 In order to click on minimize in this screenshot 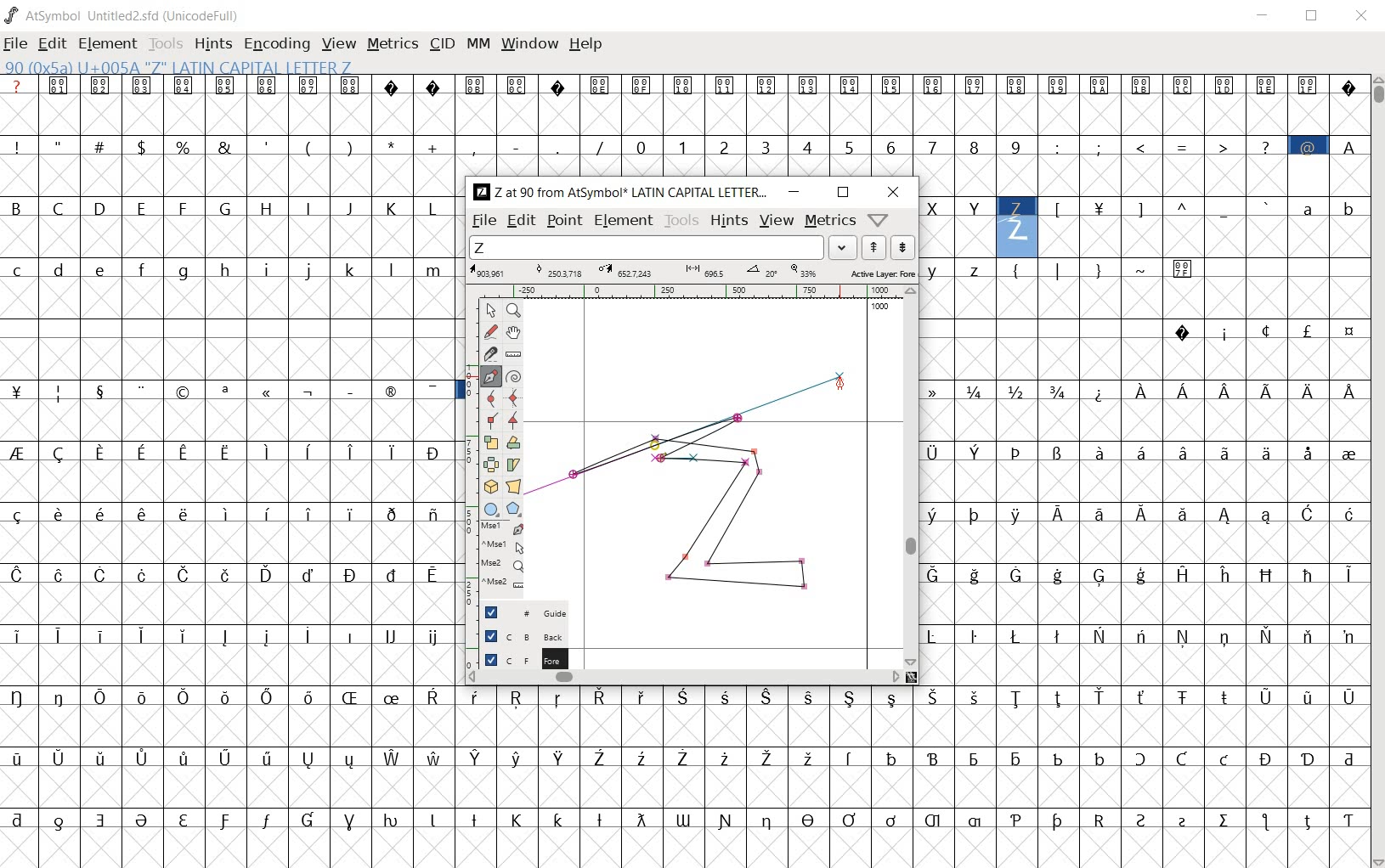, I will do `click(795, 192)`.